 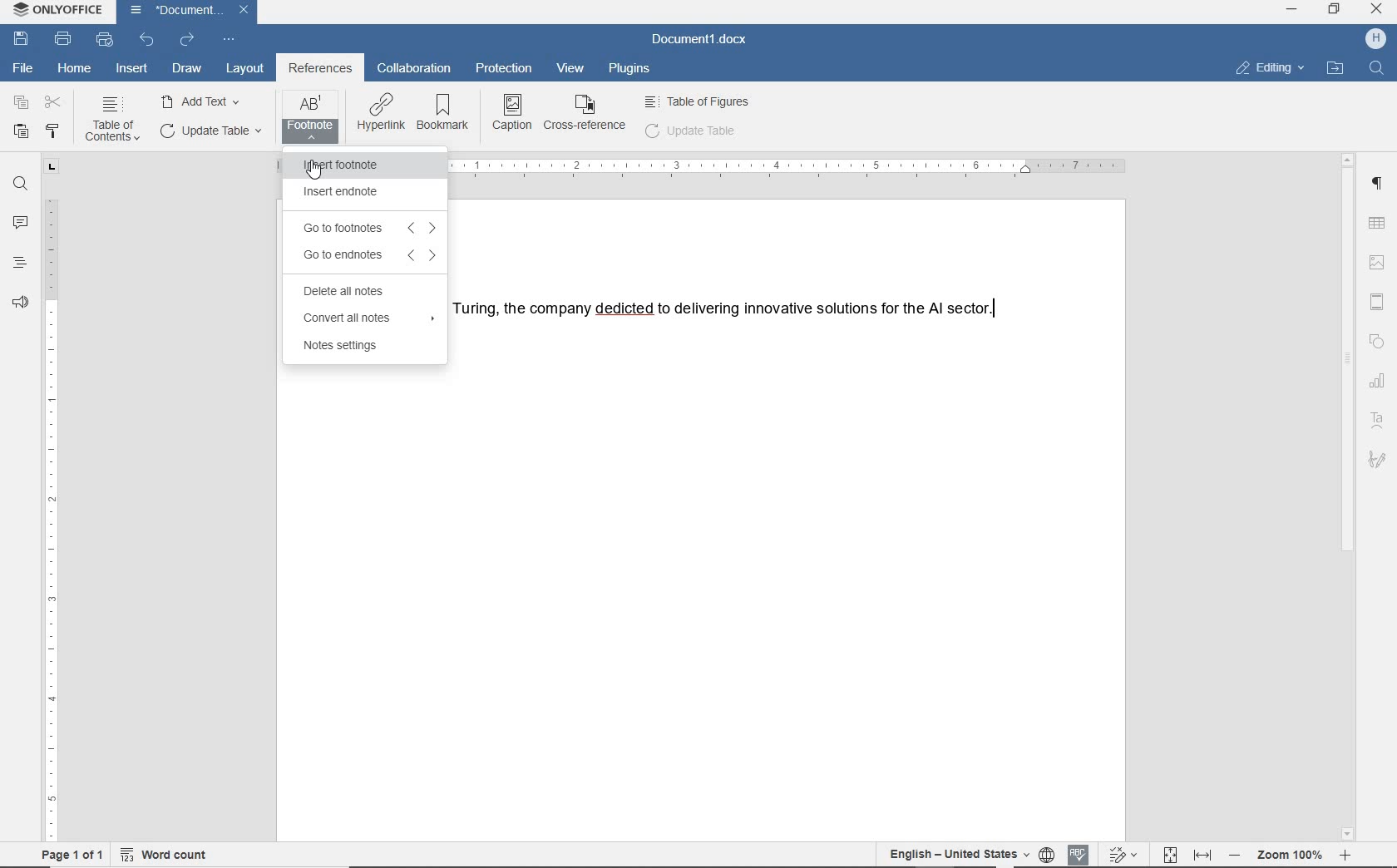 What do you see at coordinates (699, 101) in the screenshot?
I see `table of figures` at bounding box center [699, 101].